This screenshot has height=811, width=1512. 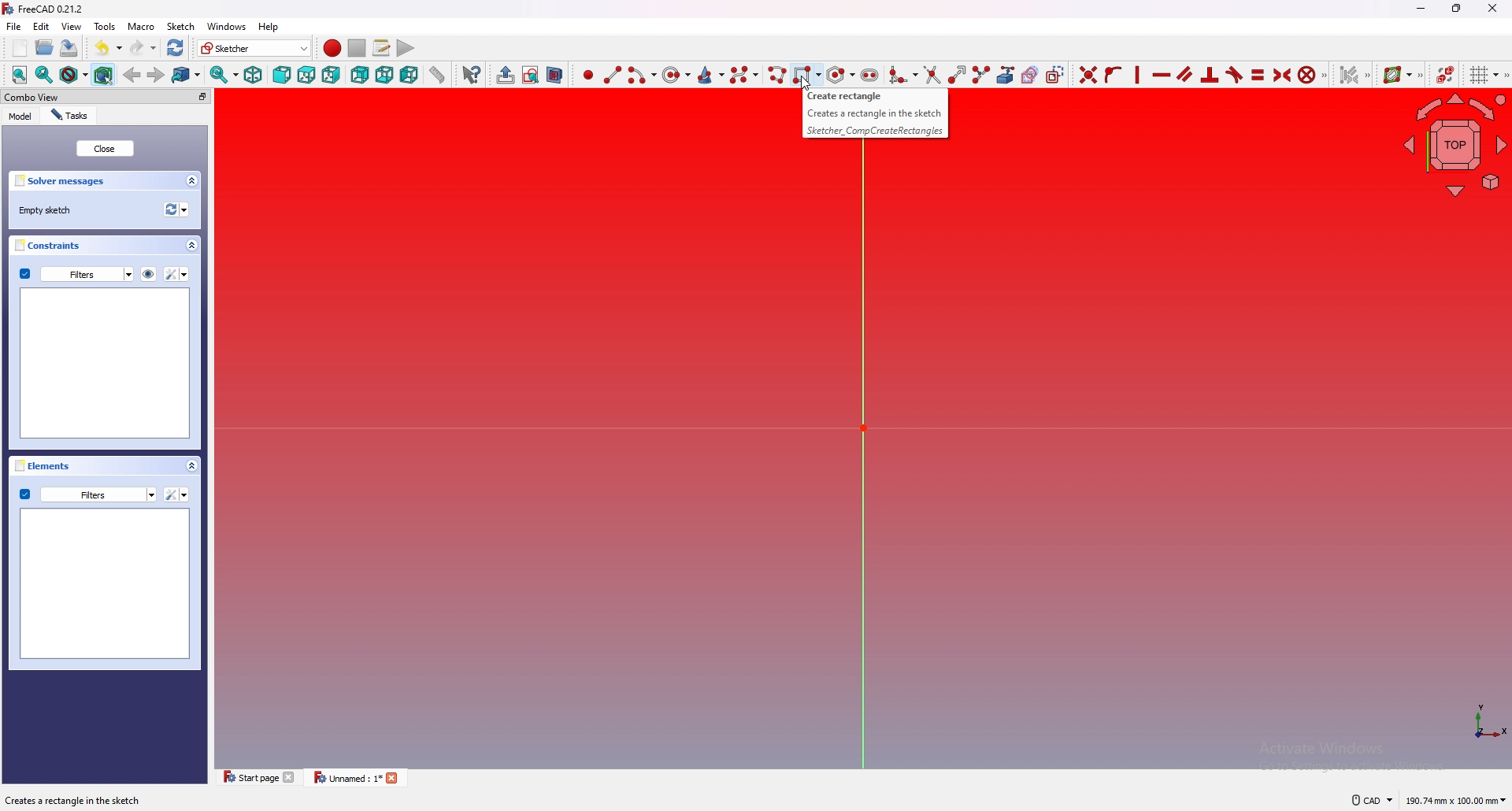 What do you see at coordinates (1186, 74) in the screenshot?
I see `constraint parallel` at bounding box center [1186, 74].